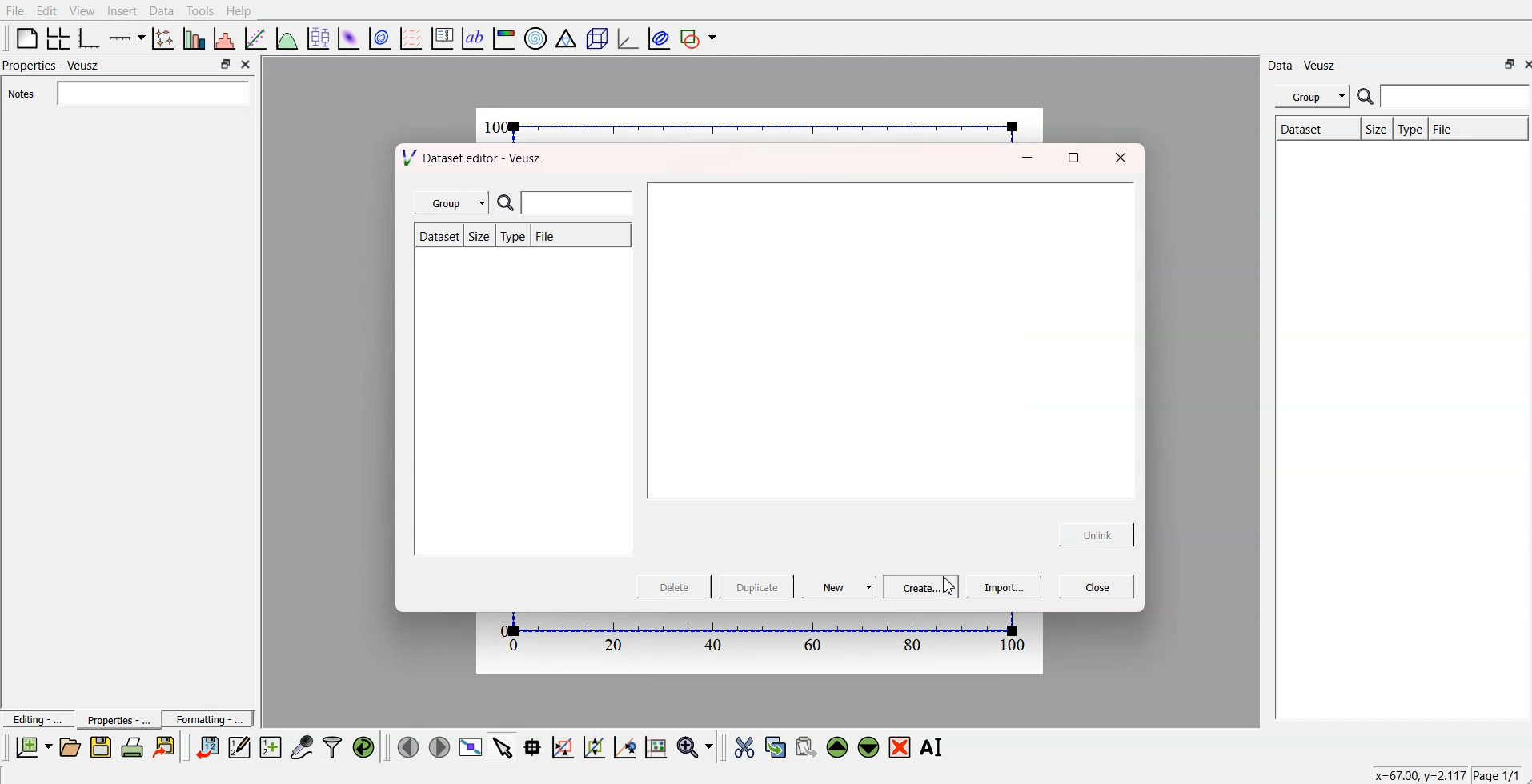 The height and width of the screenshot is (784, 1532). Describe the element at coordinates (246, 10) in the screenshot. I see `Help` at that location.